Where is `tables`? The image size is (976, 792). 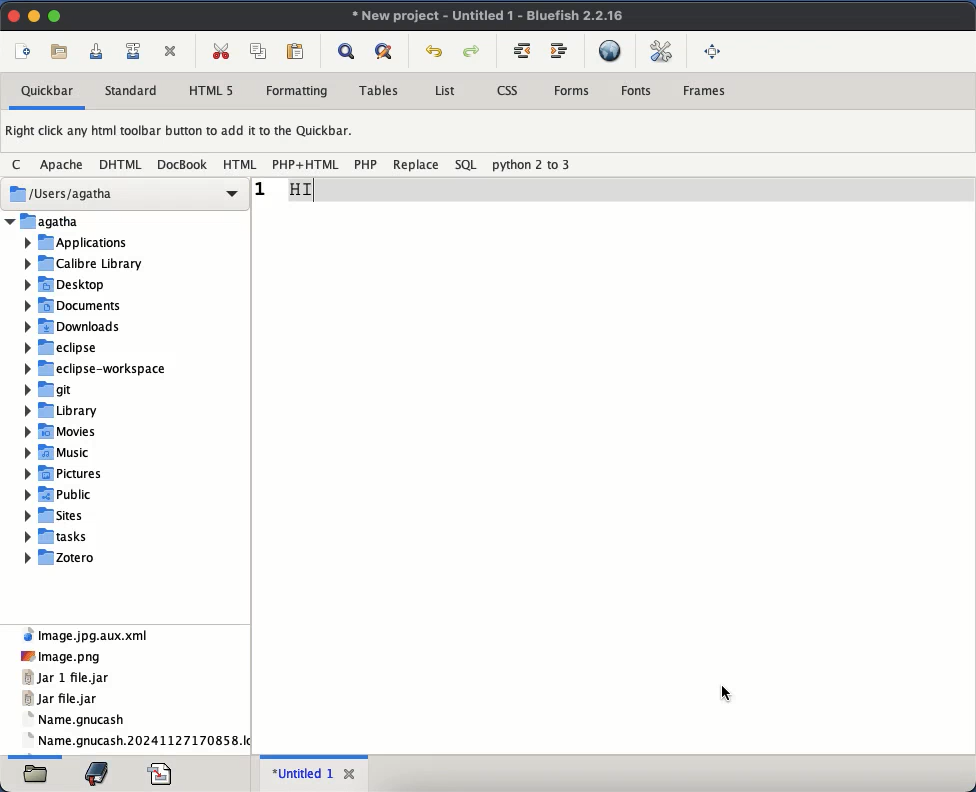 tables is located at coordinates (380, 89).